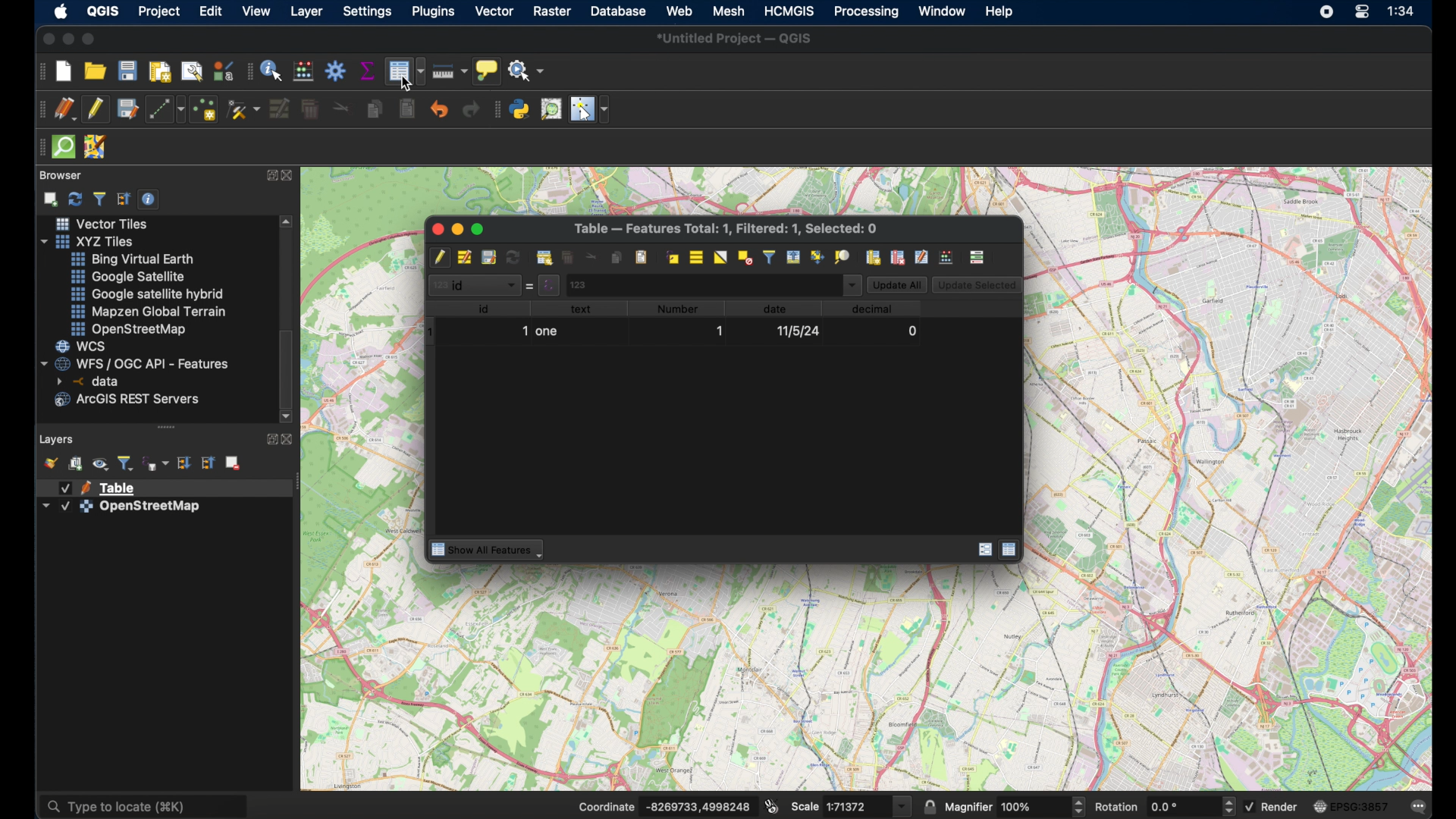 This screenshot has width=1456, height=819. I want to click on add selected layers, so click(49, 199).